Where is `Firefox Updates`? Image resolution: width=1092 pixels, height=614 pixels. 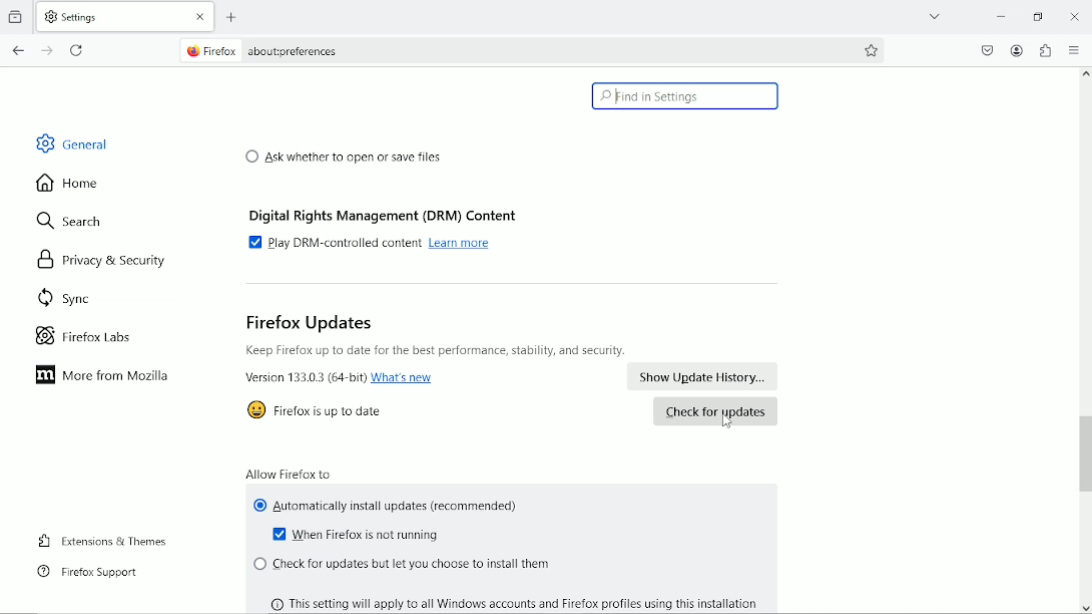
Firefox Updates is located at coordinates (309, 322).